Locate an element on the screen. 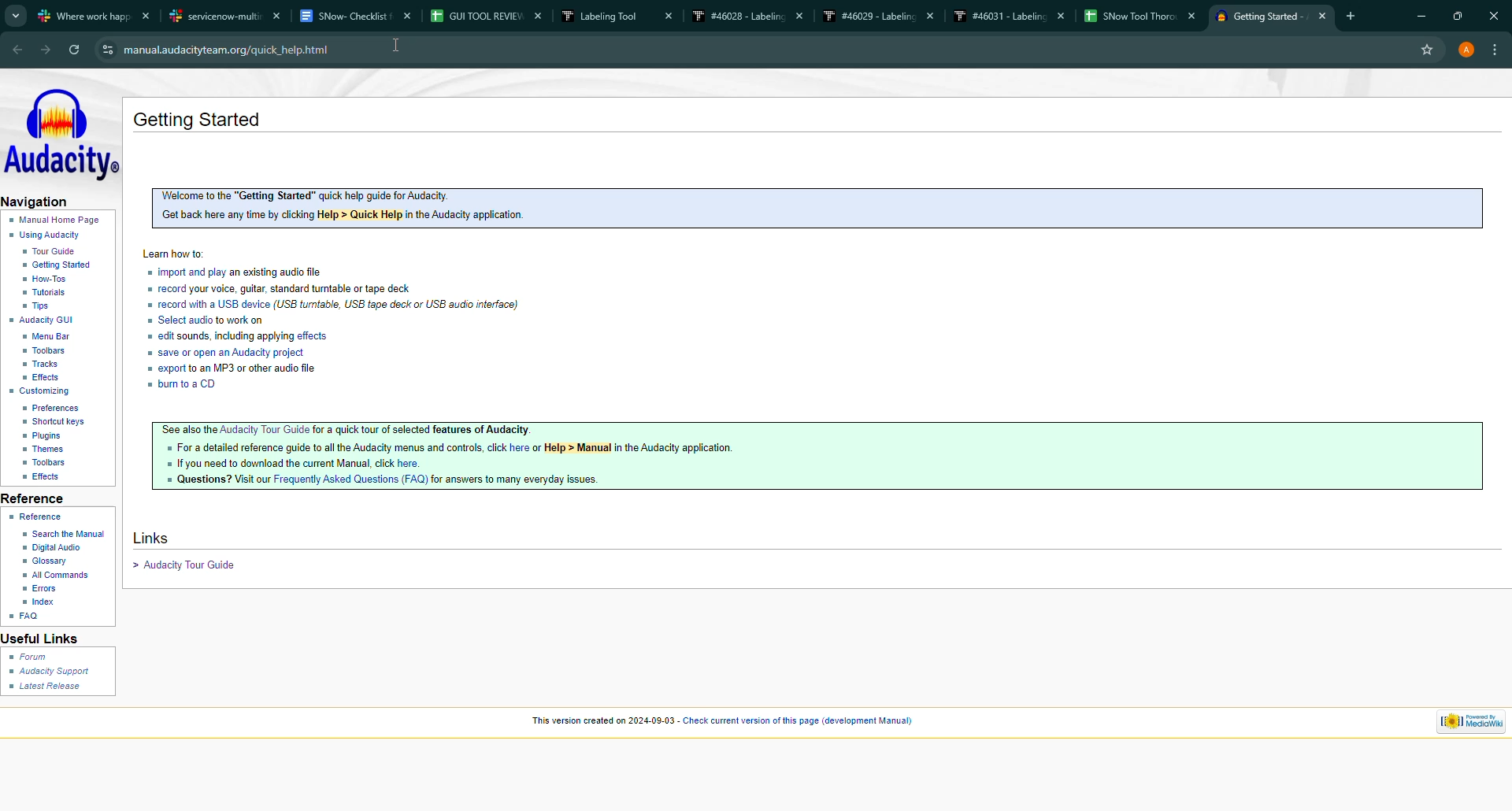 The image size is (1512, 811). home is located at coordinates (57, 220).